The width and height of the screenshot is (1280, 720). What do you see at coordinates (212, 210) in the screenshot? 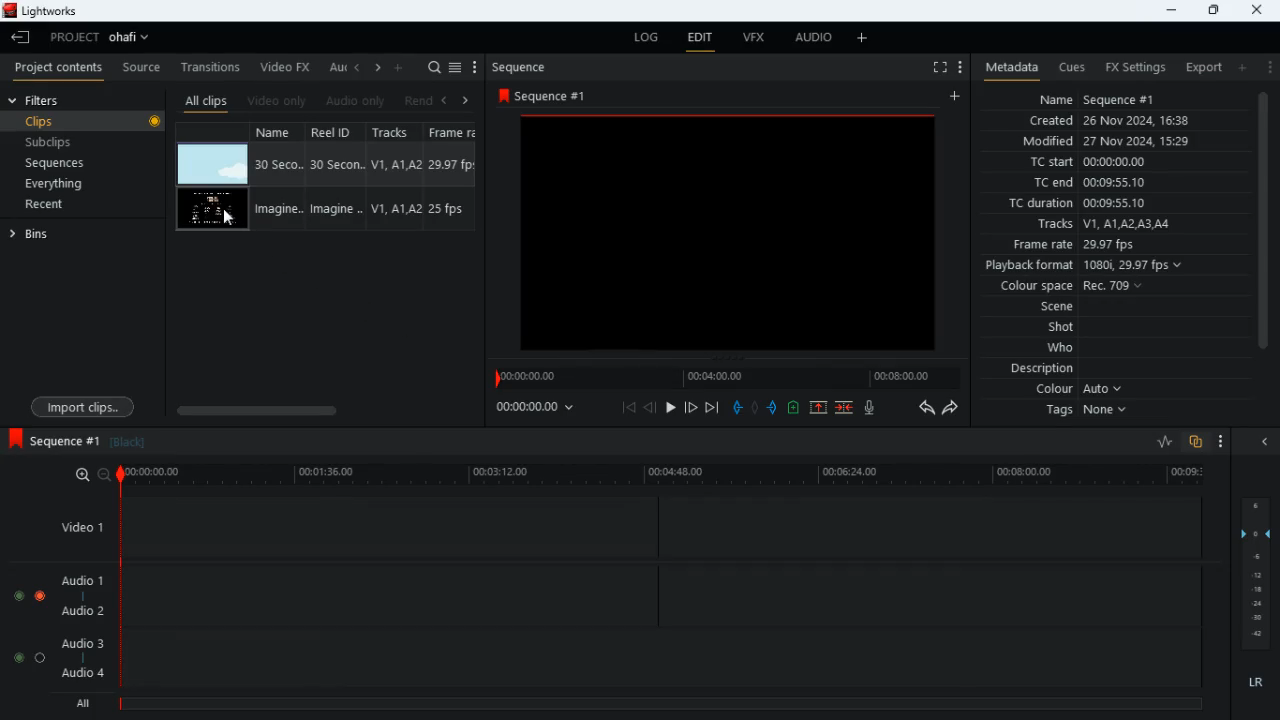
I see `image` at bounding box center [212, 210].